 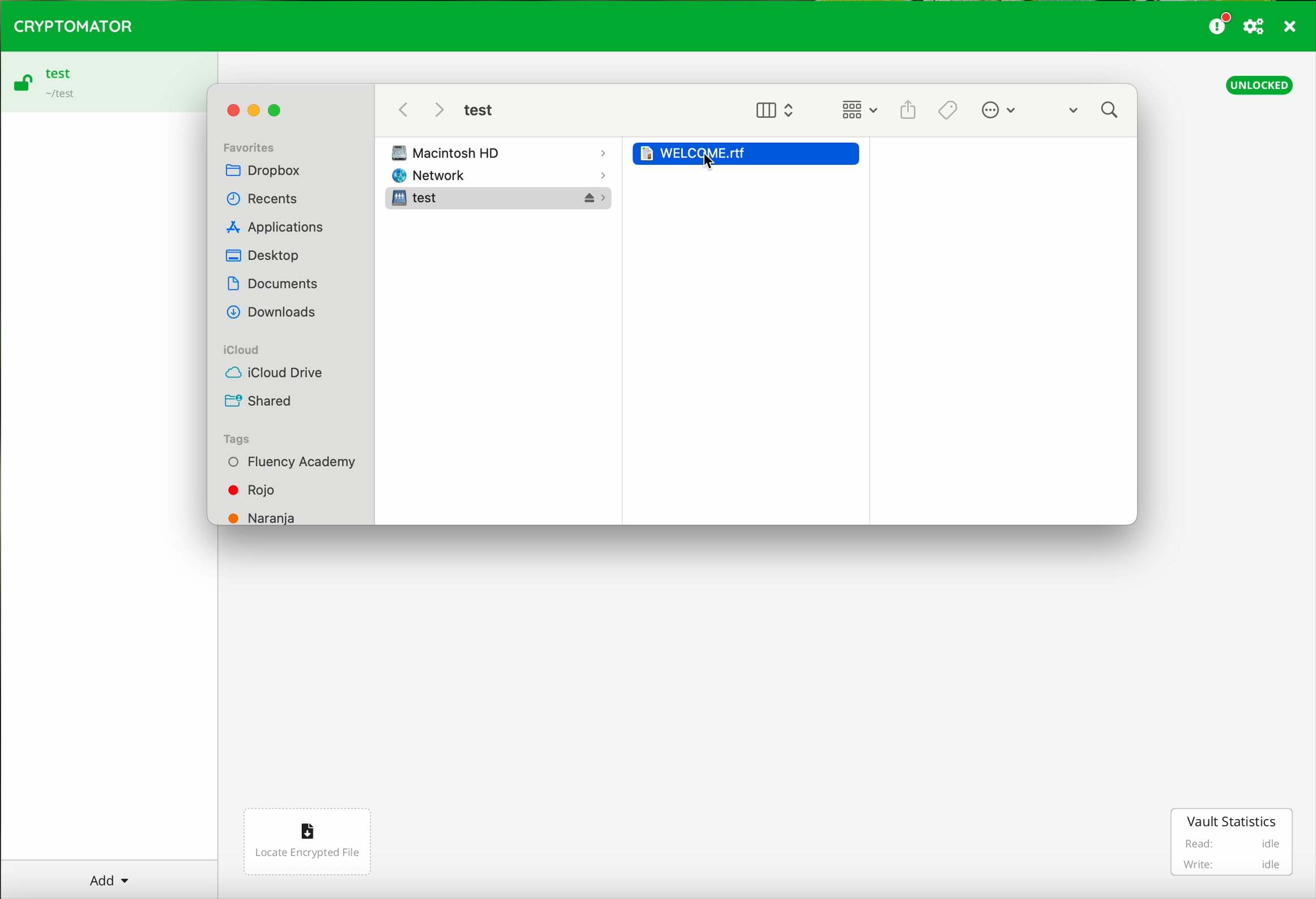 What do you see at coordinates (277, 225) in the screenshot?
I see `Applications` at bounding box center [277, 225].